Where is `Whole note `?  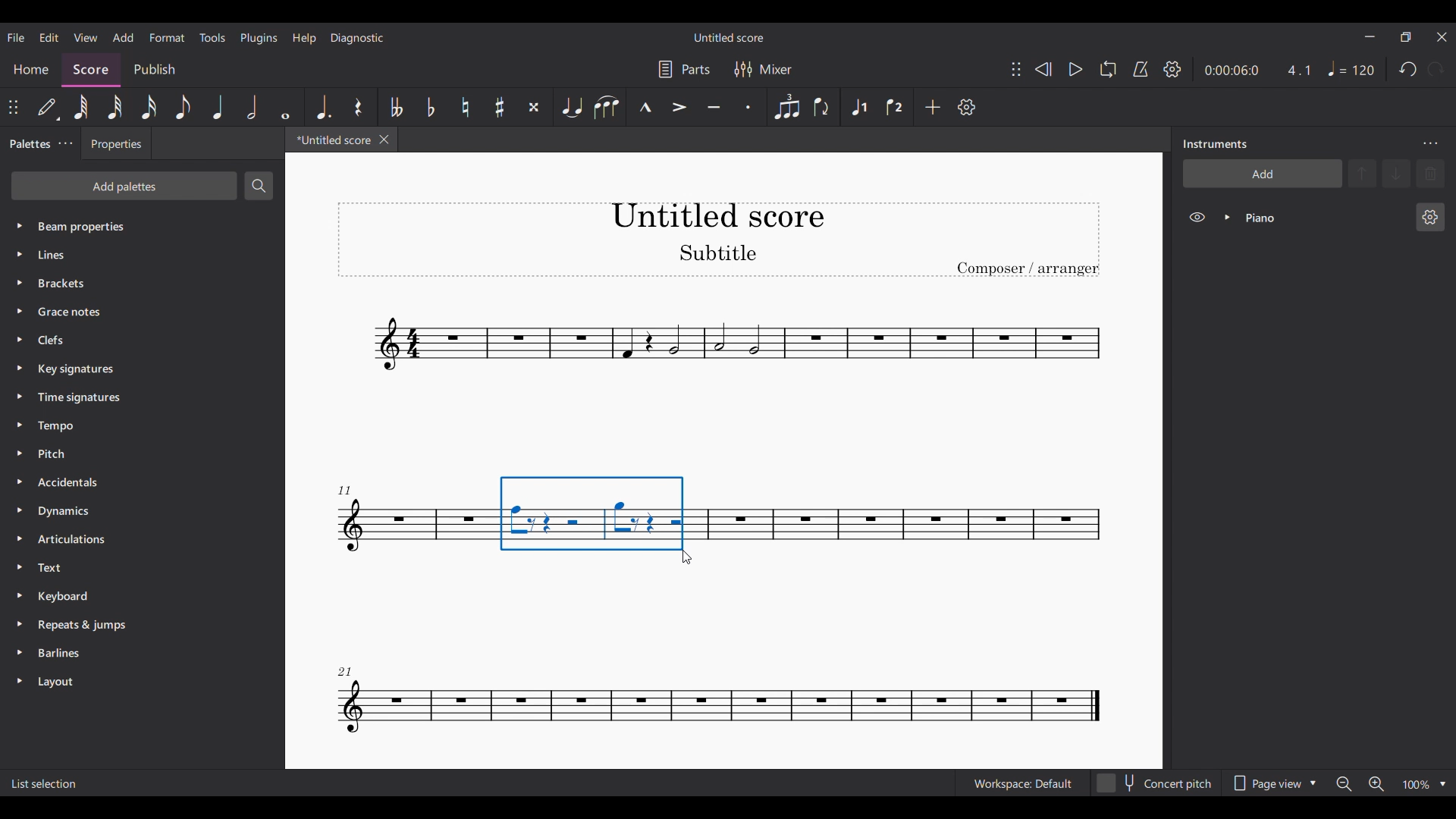
Whole note  is located at coordinates (285, 106).